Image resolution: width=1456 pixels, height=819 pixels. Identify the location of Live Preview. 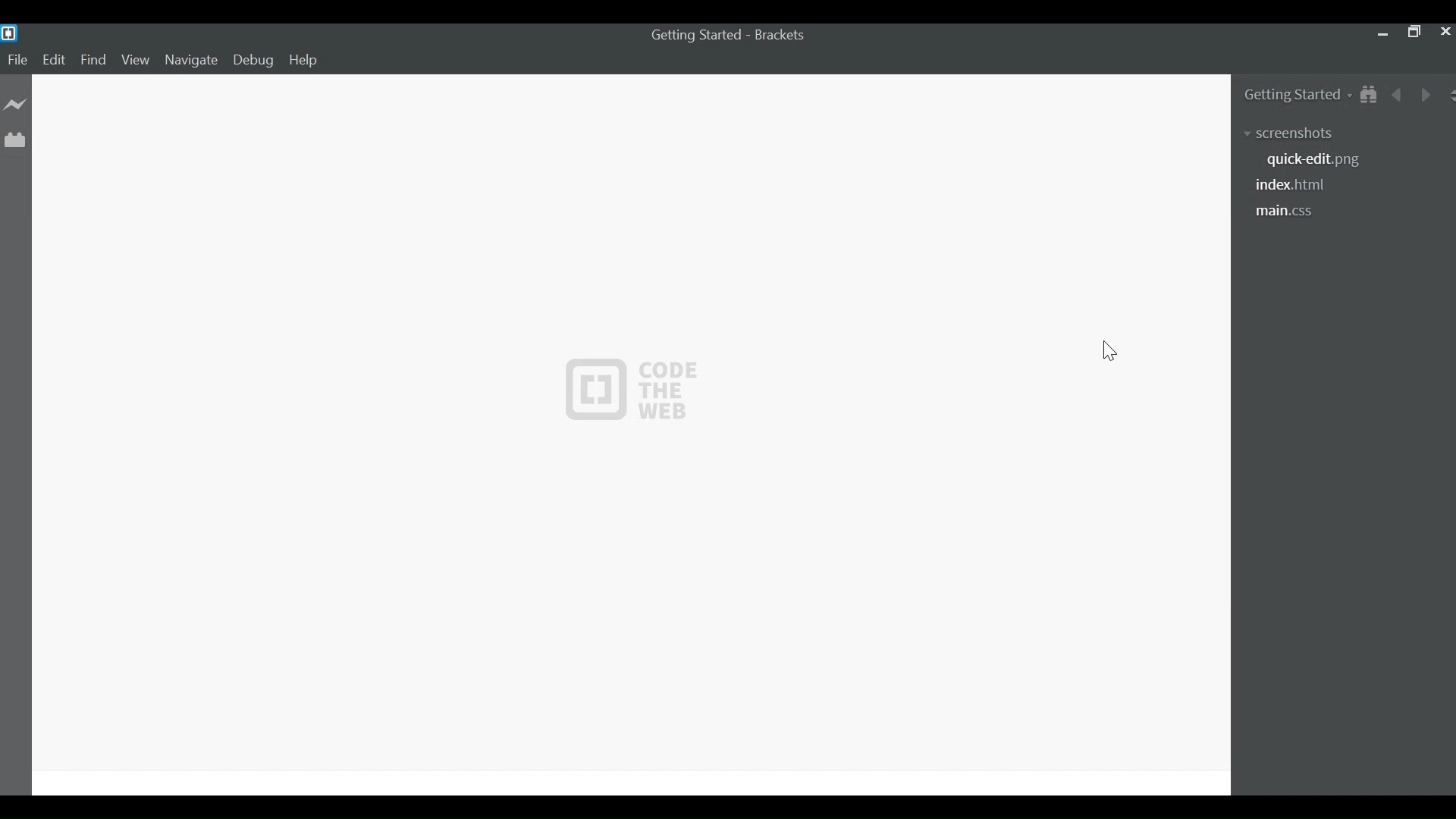
(16, 107).